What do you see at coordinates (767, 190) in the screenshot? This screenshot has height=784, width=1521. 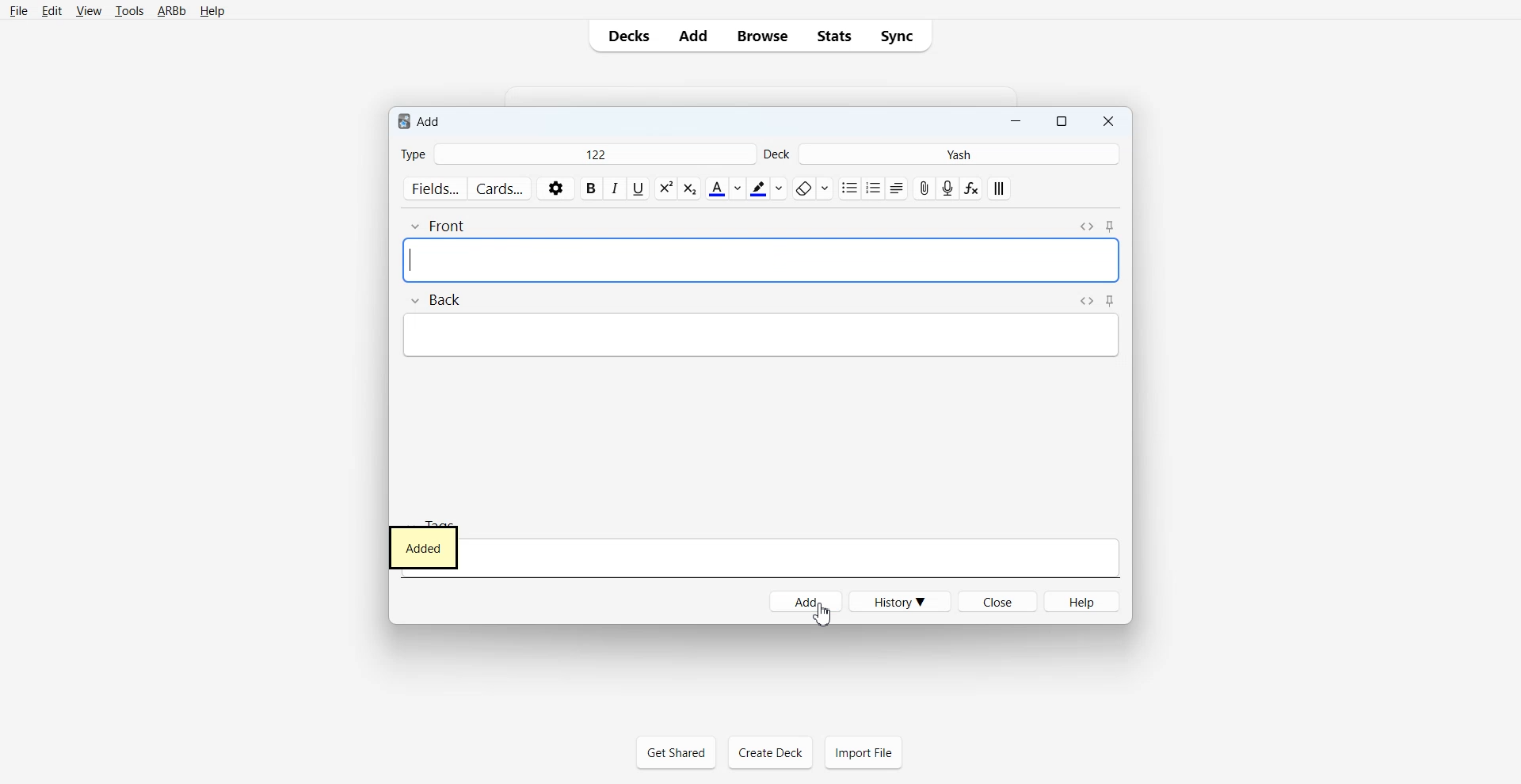 I see `pen color` at bounding box center [767, 190].